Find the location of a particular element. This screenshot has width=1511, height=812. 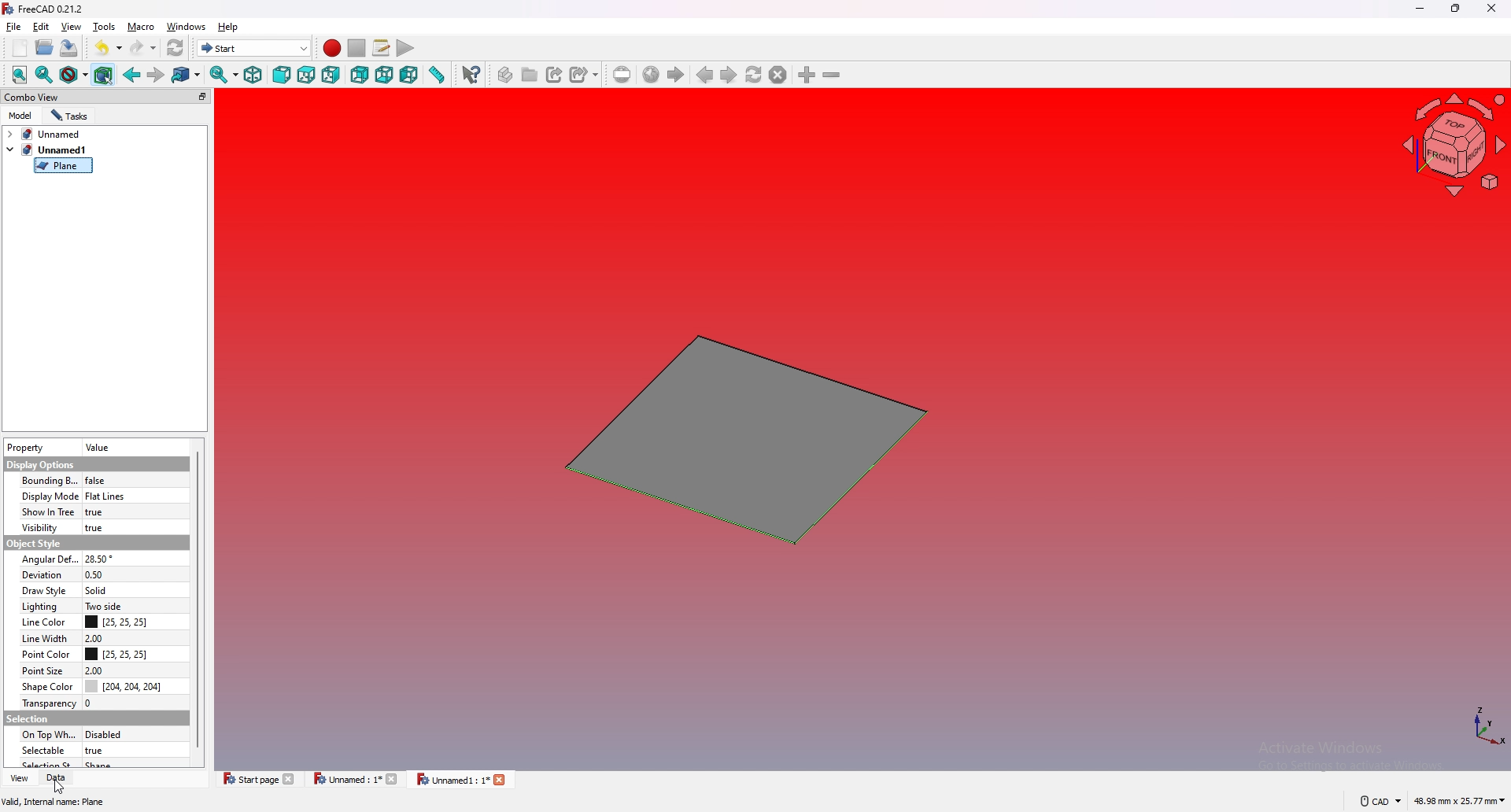

cursor is located at coordinates (58, 787).